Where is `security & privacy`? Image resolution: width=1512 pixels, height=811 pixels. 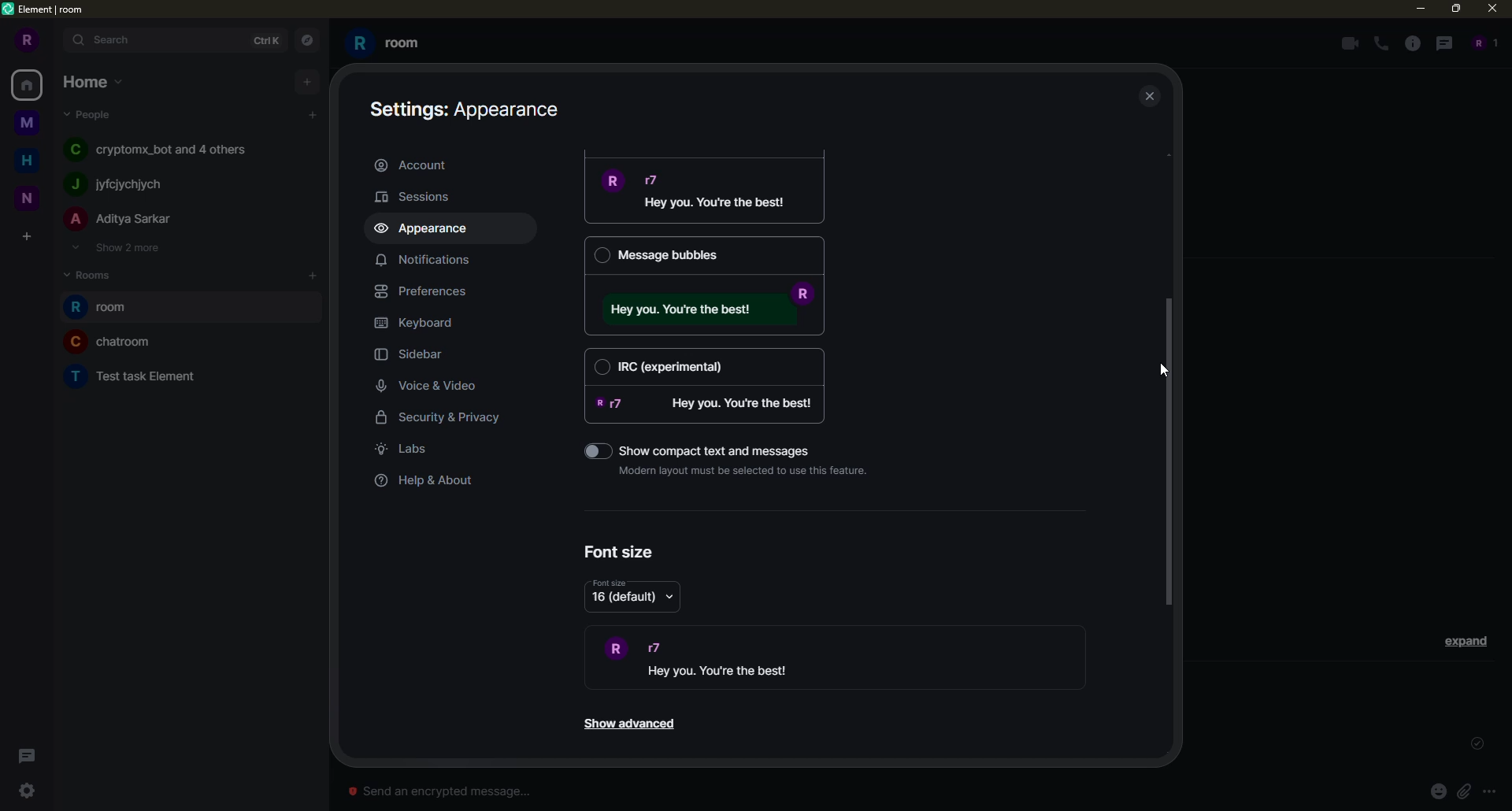 security & privacy is located at coordinates (450, 420).